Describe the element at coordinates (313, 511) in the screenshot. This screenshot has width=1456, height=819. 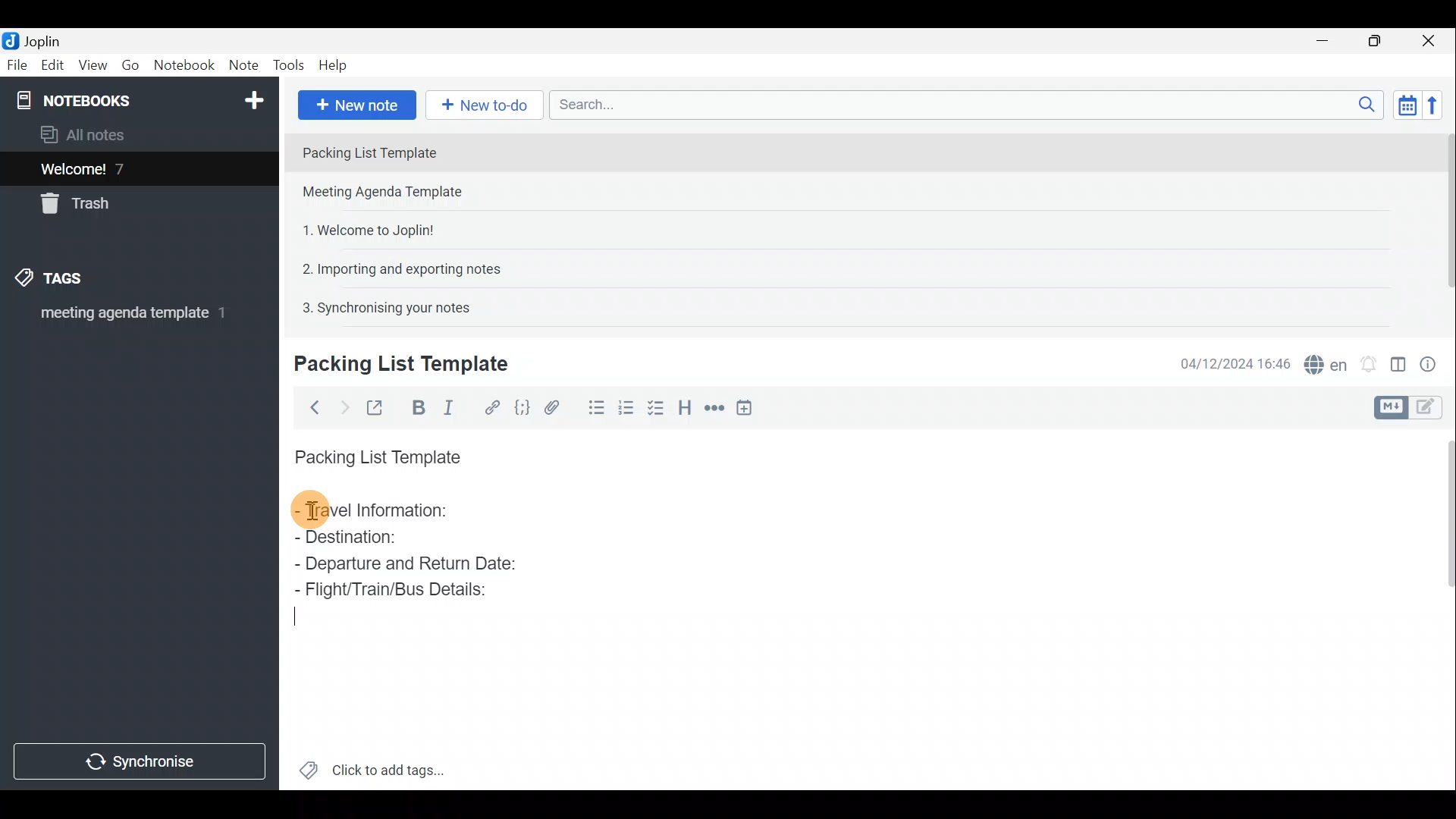
I see `cursor` at that location.